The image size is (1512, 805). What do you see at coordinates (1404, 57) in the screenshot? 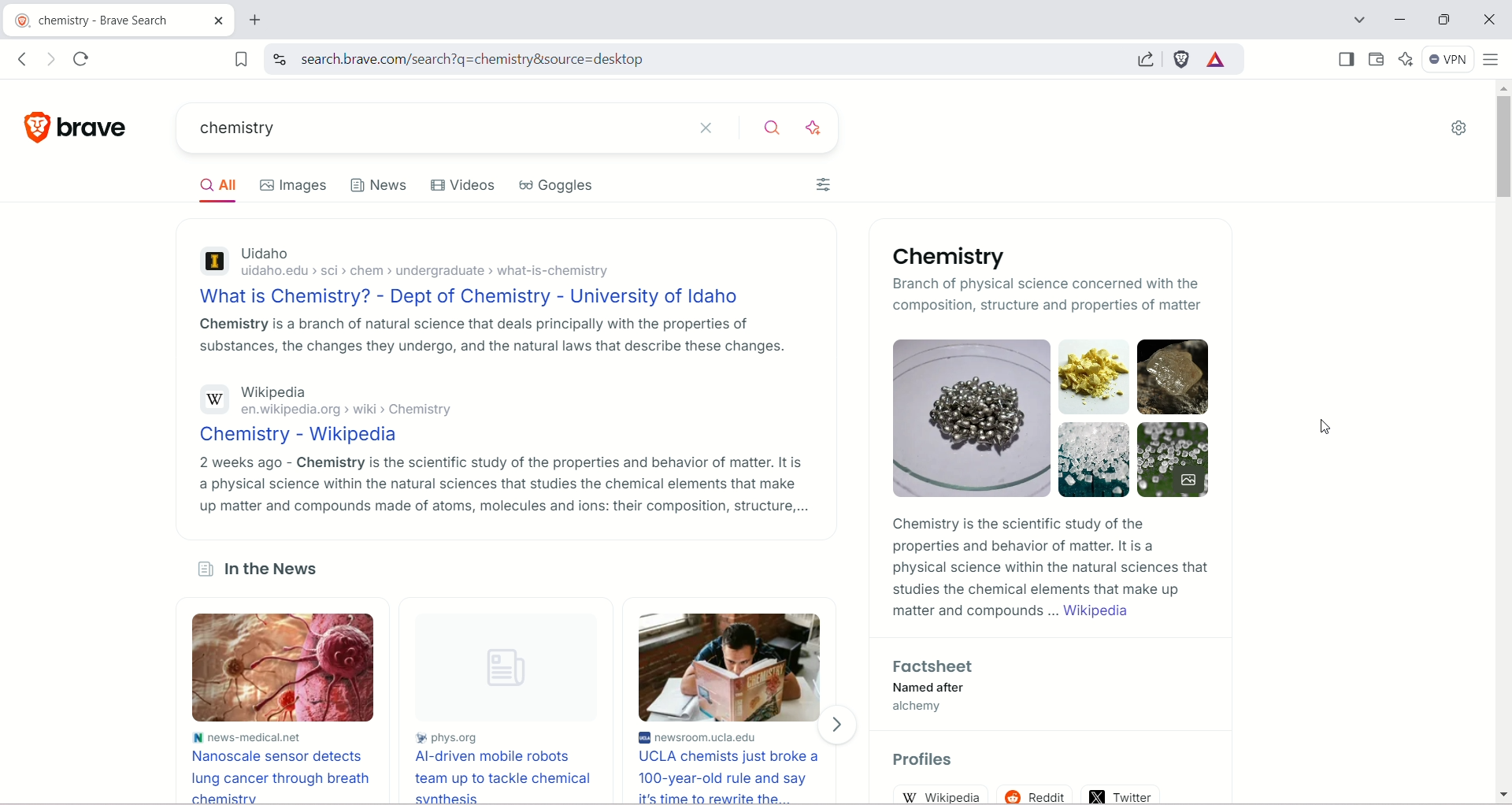
I see `leo AI` at bounding box center [1404, 57].